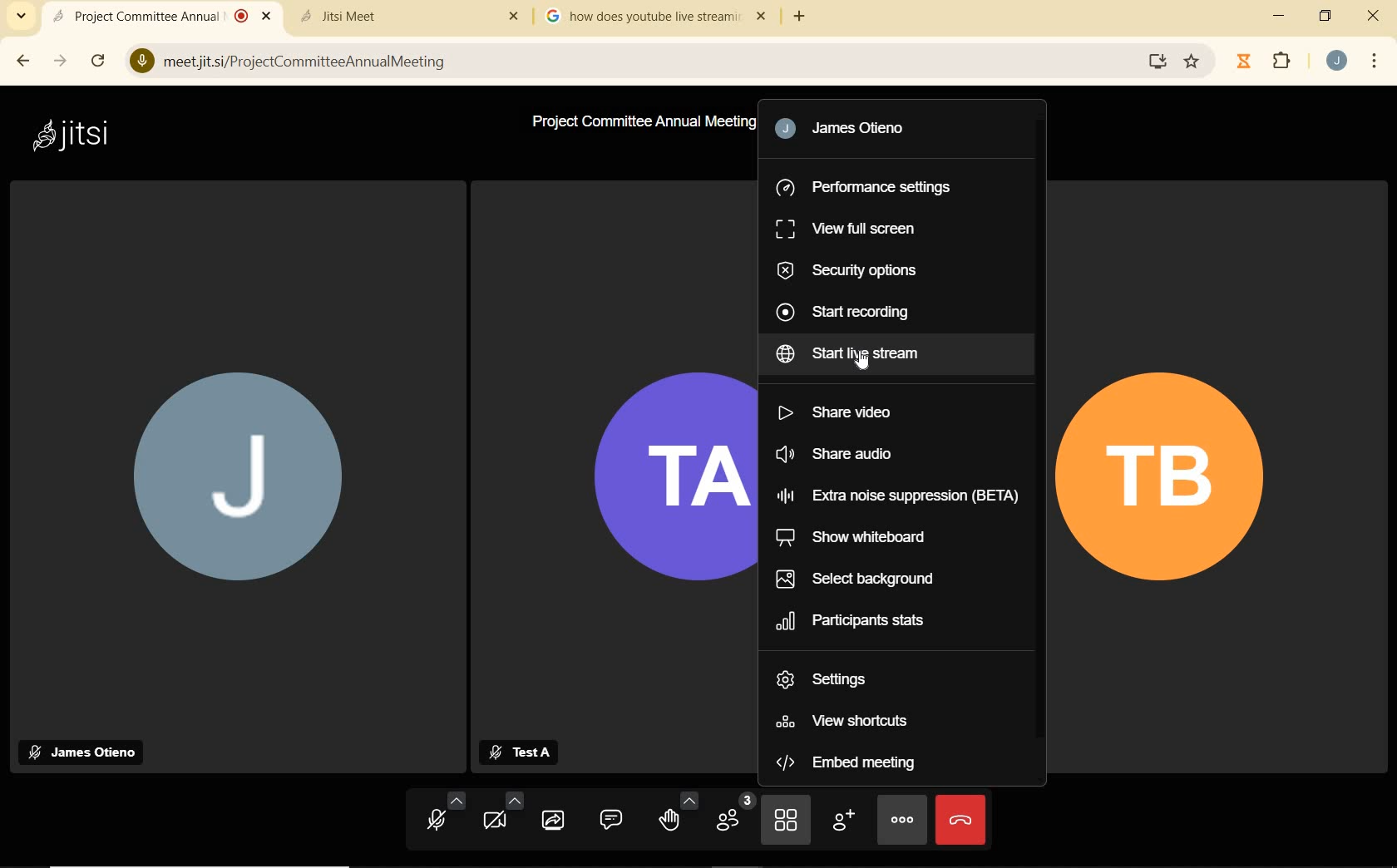  Describe the element at coordinates (960, 820) in the screenshot. I see `leave meeting` at that location.